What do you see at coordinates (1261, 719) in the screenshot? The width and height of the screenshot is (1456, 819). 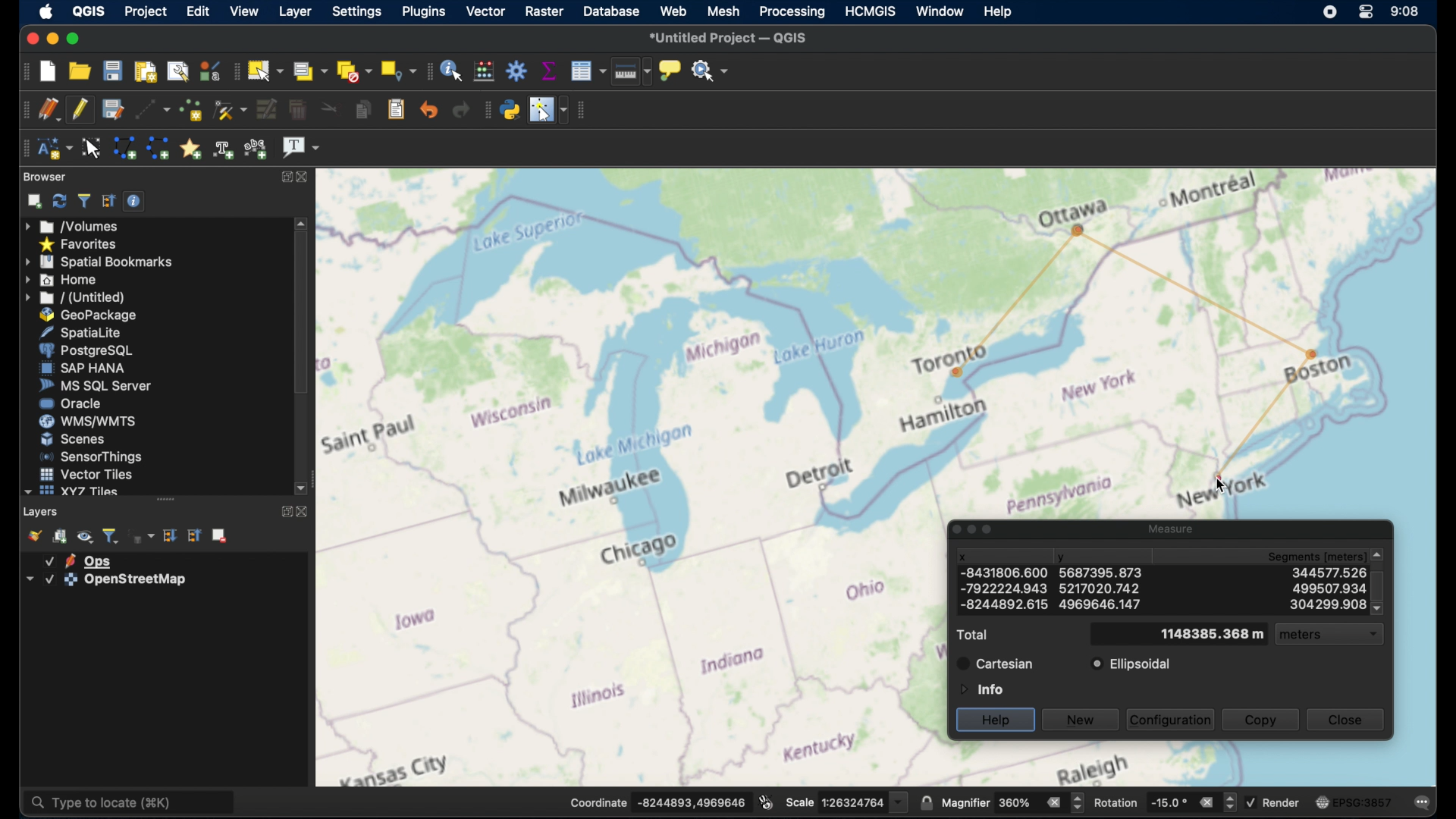 I see `copy` at bounding box center [1261, 719].